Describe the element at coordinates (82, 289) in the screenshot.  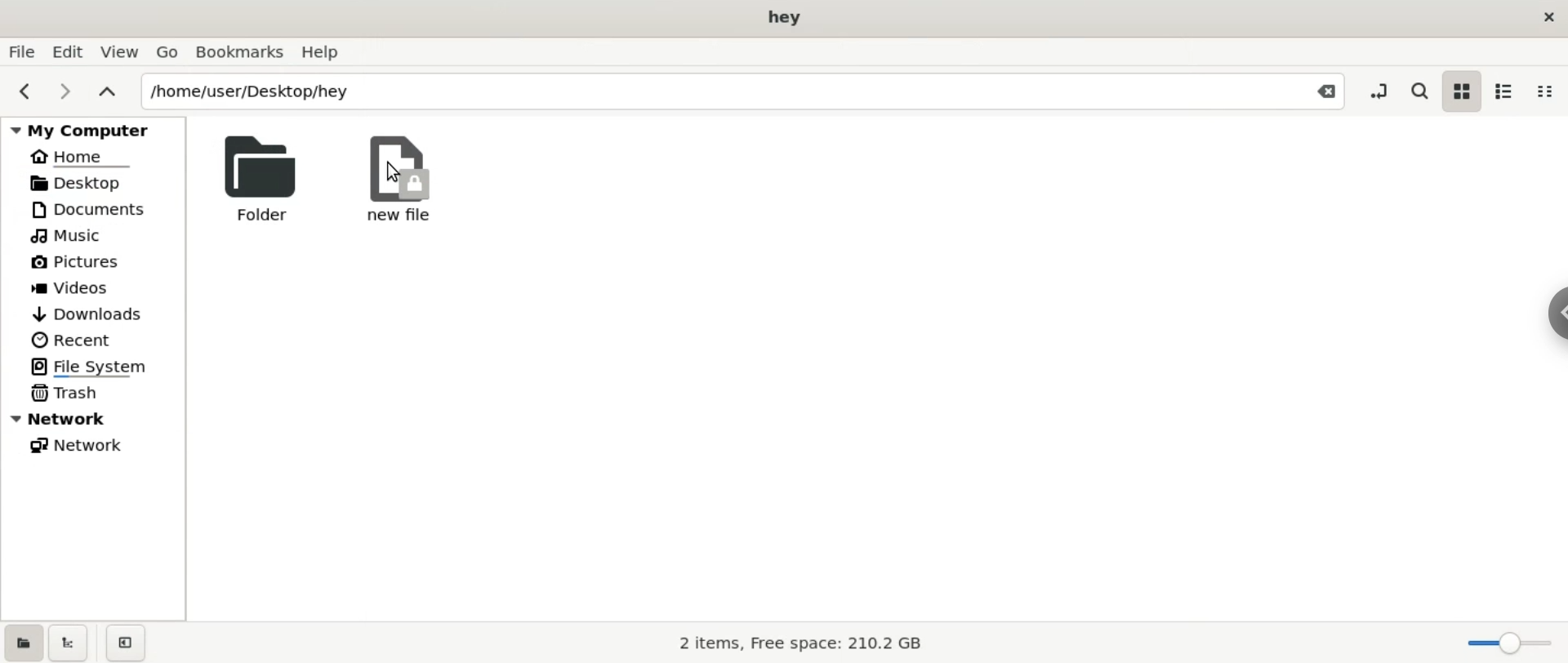
I see `Videos` at that location.